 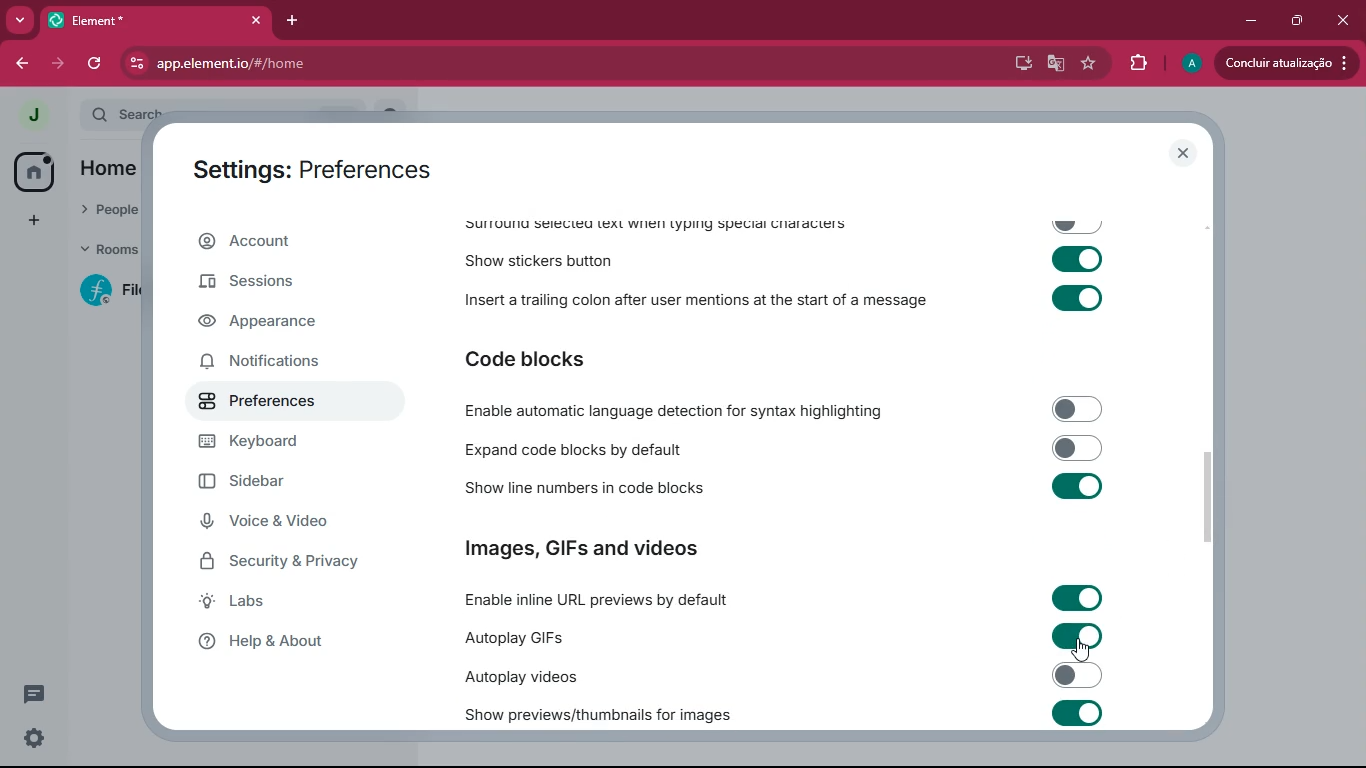 I want to click on google translate , so click(x=1052, y=65).